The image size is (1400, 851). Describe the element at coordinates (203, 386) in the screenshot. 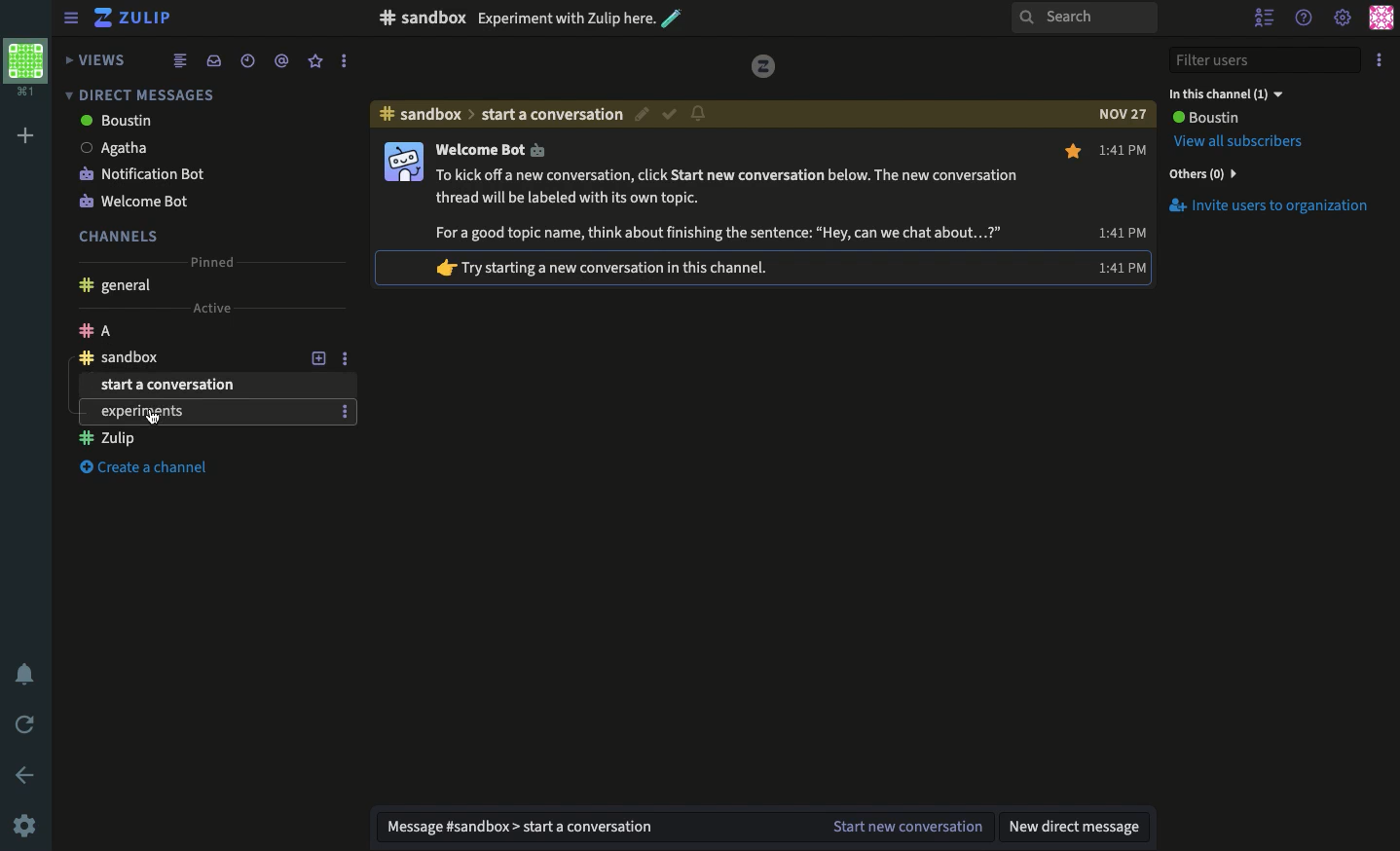

I see `Start a conversation` at that location.